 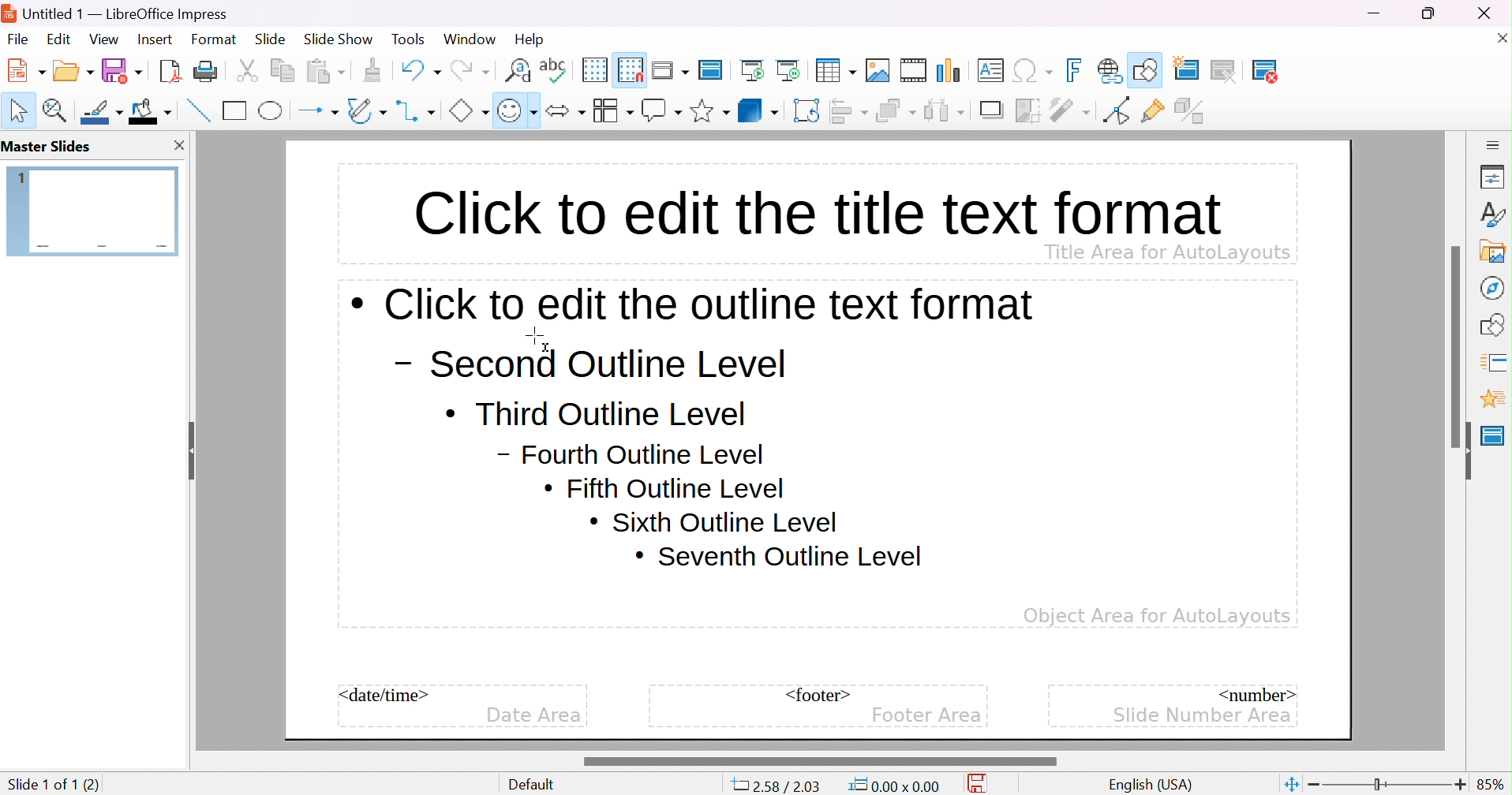 What do you see at coordinates (215, 39) in the screenshot?
I see `format` at bounding box center [215, 39].